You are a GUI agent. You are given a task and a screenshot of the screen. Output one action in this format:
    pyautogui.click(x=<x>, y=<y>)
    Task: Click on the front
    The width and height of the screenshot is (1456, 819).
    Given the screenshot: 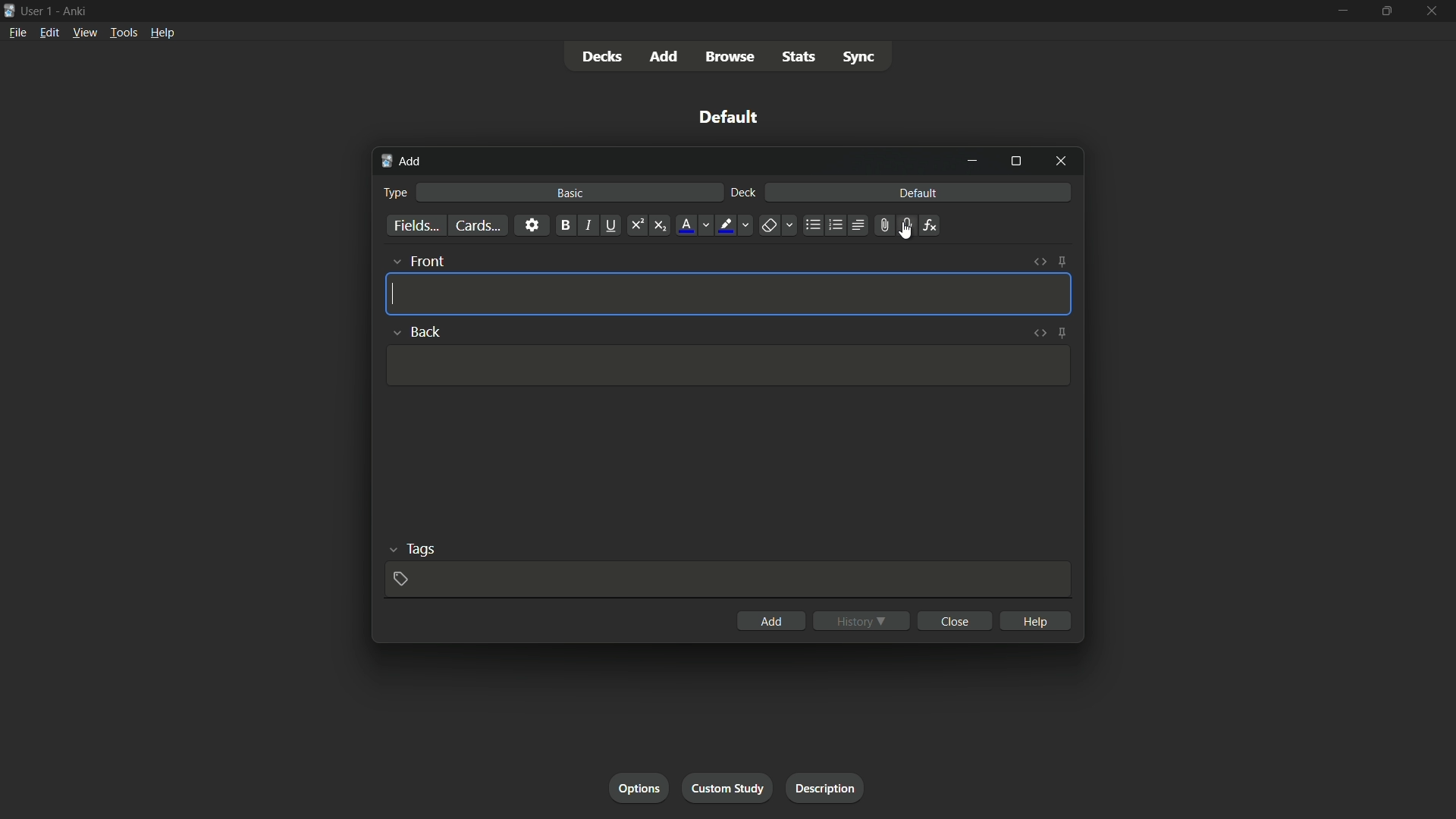 What is the action you would take?
    pyautogui.click(x=429, y=262)
    